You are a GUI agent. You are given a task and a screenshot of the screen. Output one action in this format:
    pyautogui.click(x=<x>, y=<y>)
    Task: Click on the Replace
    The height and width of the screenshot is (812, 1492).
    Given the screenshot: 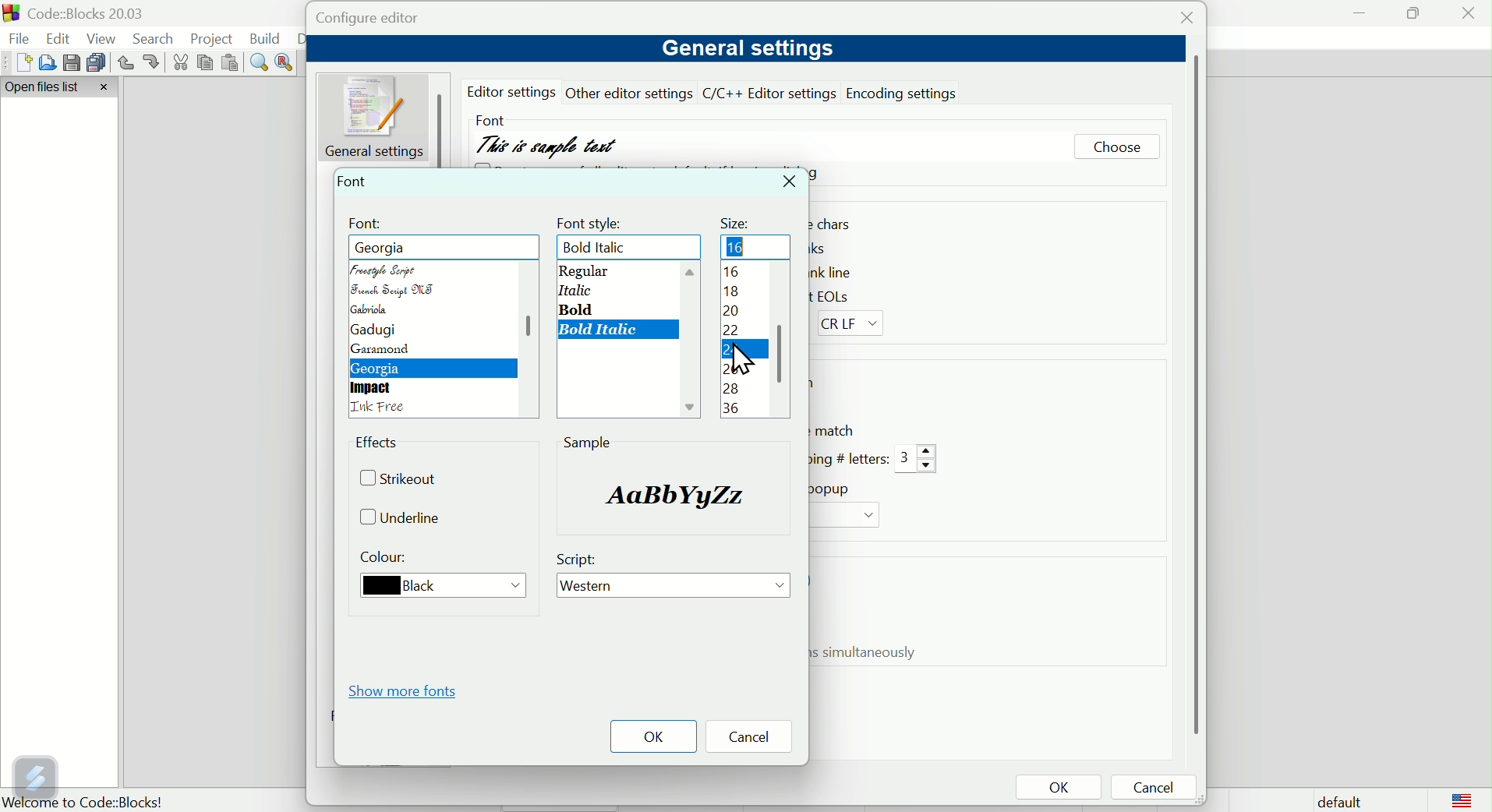 What is the action you would take?
    pyautogui.click(x=286, y=61)
    